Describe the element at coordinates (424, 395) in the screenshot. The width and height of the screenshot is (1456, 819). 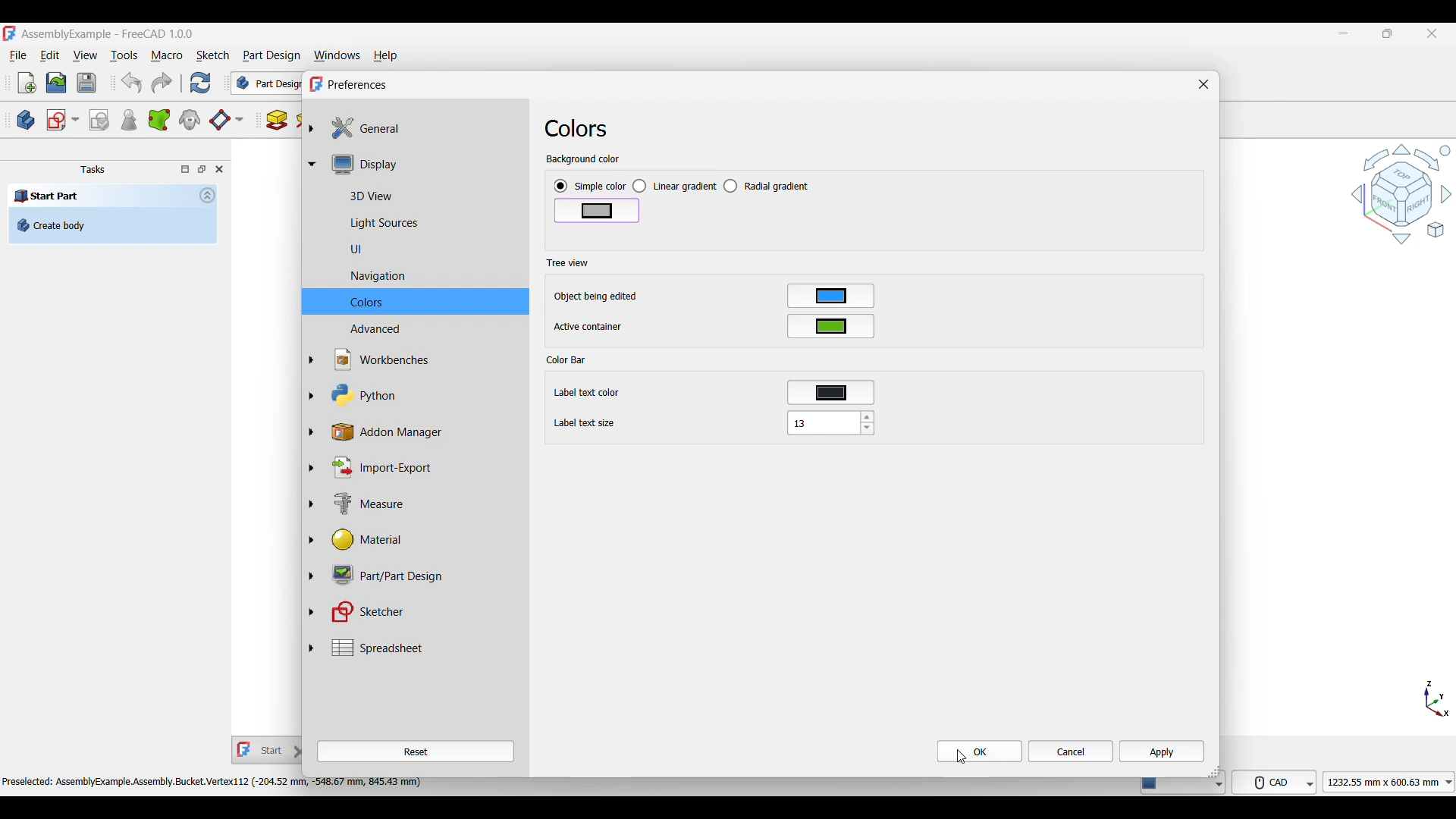
I see `Python` at that location.